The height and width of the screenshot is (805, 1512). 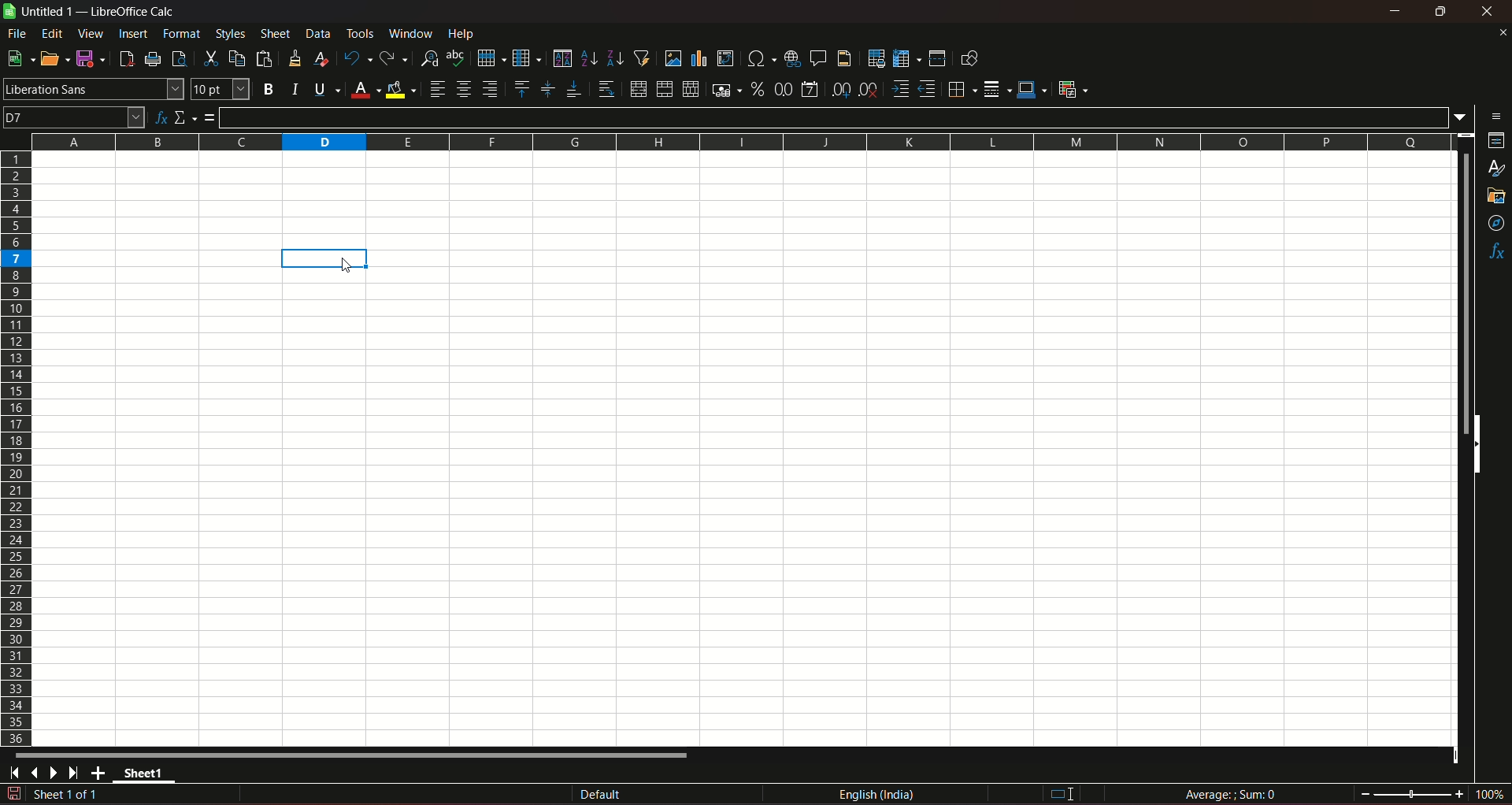 I want to click on minimize & maximize, so click(x=1440, y=12).